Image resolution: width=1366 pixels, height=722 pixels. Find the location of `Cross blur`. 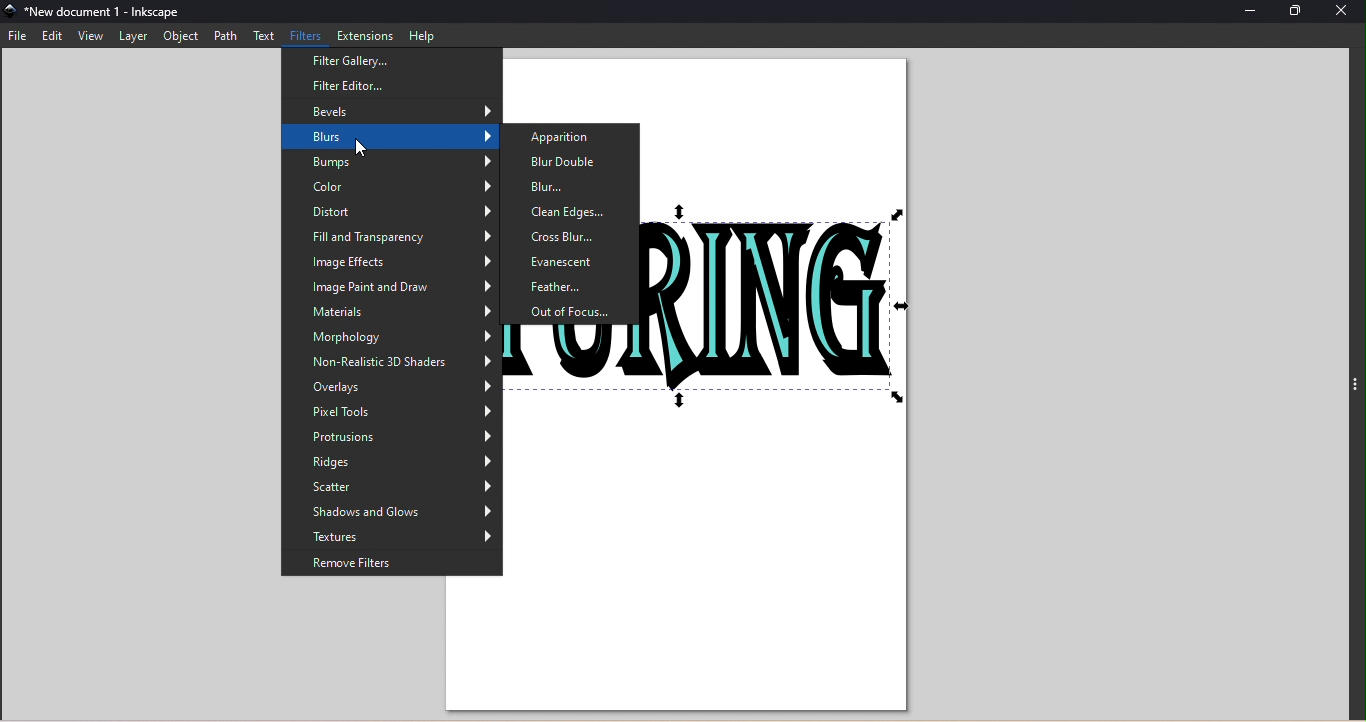

Cross blur is located at coordinates (574, 238).